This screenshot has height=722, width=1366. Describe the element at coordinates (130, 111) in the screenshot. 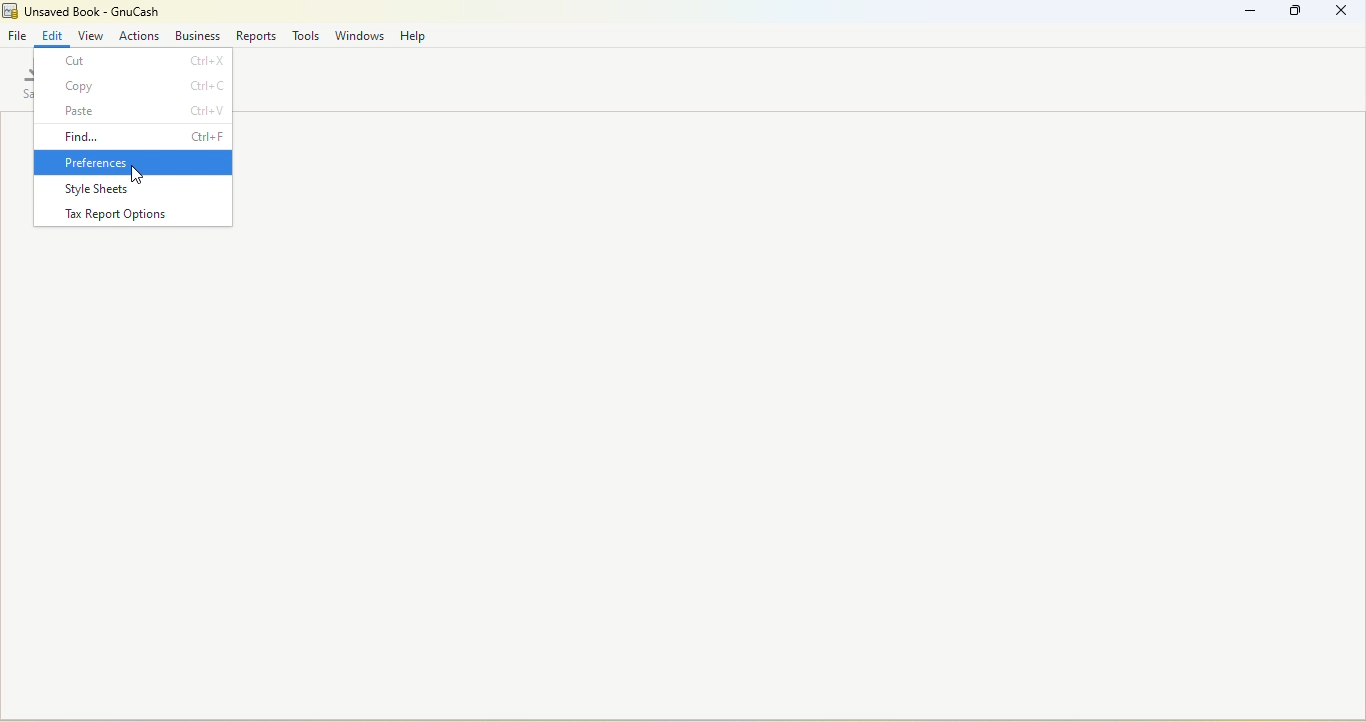

I see `Paste` at that location.